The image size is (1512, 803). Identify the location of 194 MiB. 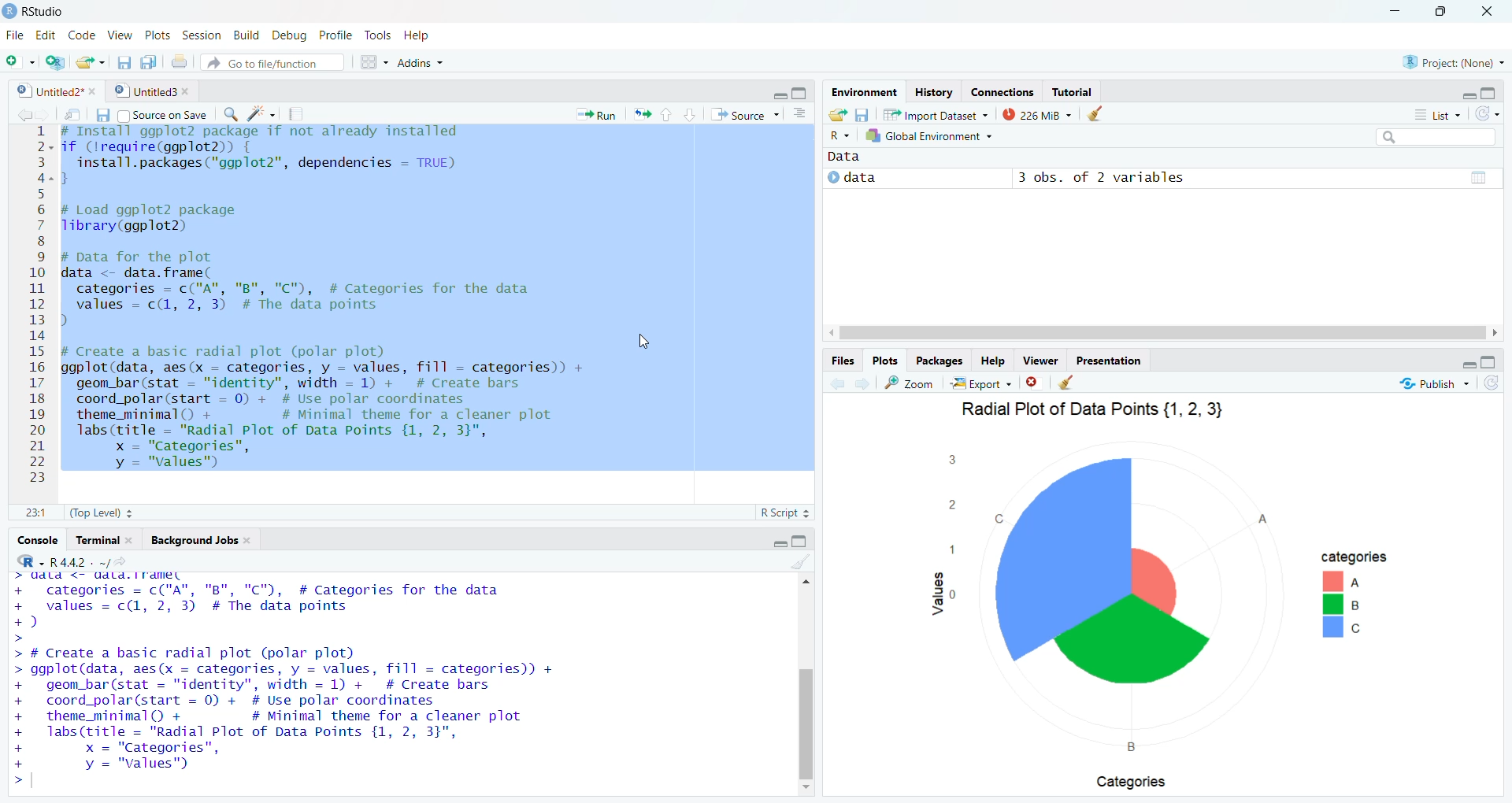
(1038, 114).